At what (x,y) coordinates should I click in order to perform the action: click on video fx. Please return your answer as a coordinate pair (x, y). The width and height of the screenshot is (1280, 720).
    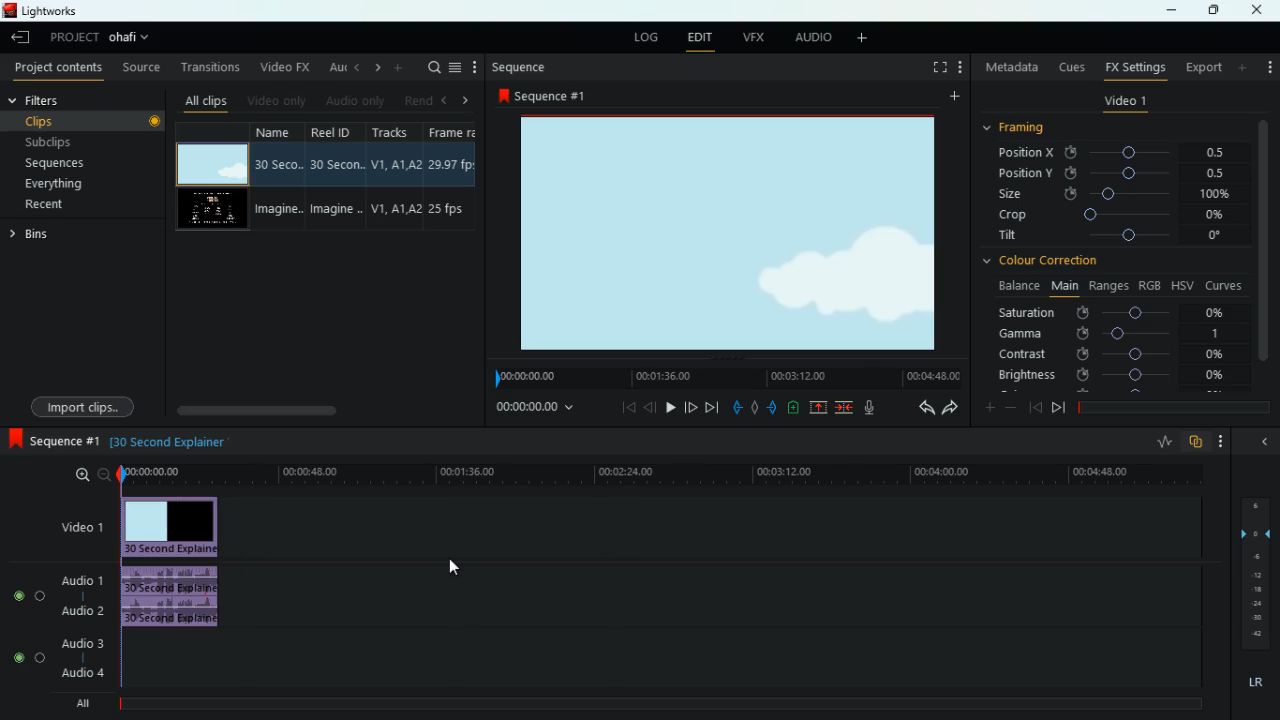
    Looking at the image, I should click on (283, 67).